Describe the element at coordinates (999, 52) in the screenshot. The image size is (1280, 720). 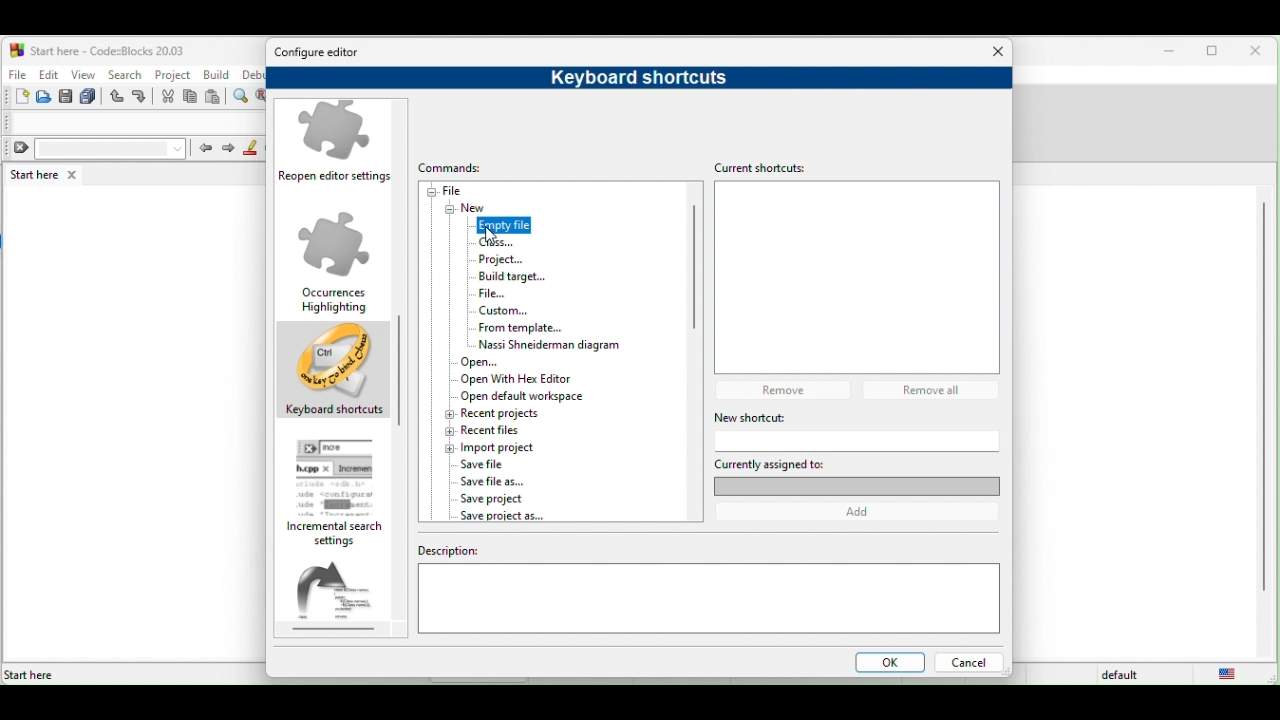
I see `Close` at that location.